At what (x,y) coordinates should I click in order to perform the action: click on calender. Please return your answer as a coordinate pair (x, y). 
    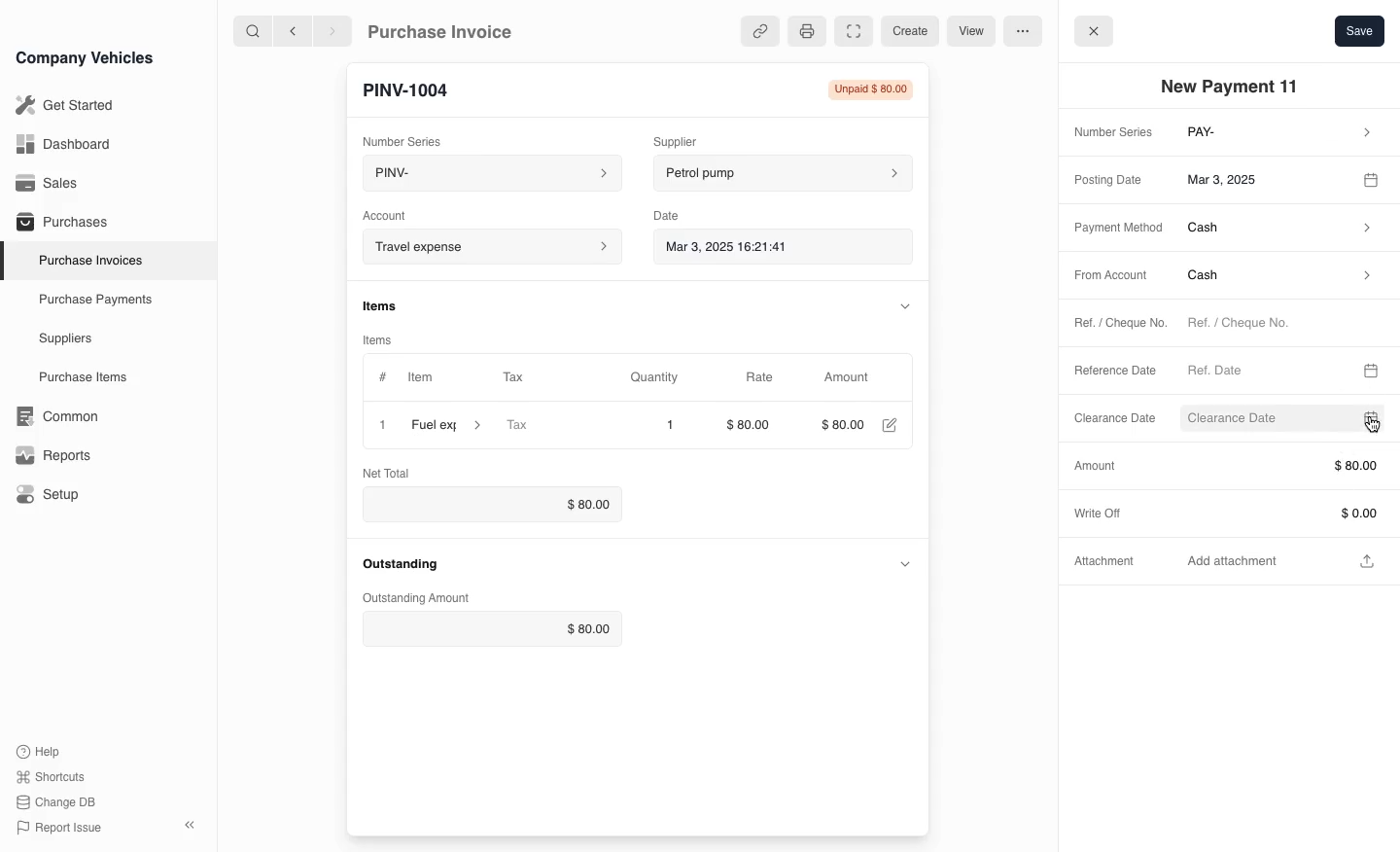
    Looking at the image, I should click on (1372, 368).